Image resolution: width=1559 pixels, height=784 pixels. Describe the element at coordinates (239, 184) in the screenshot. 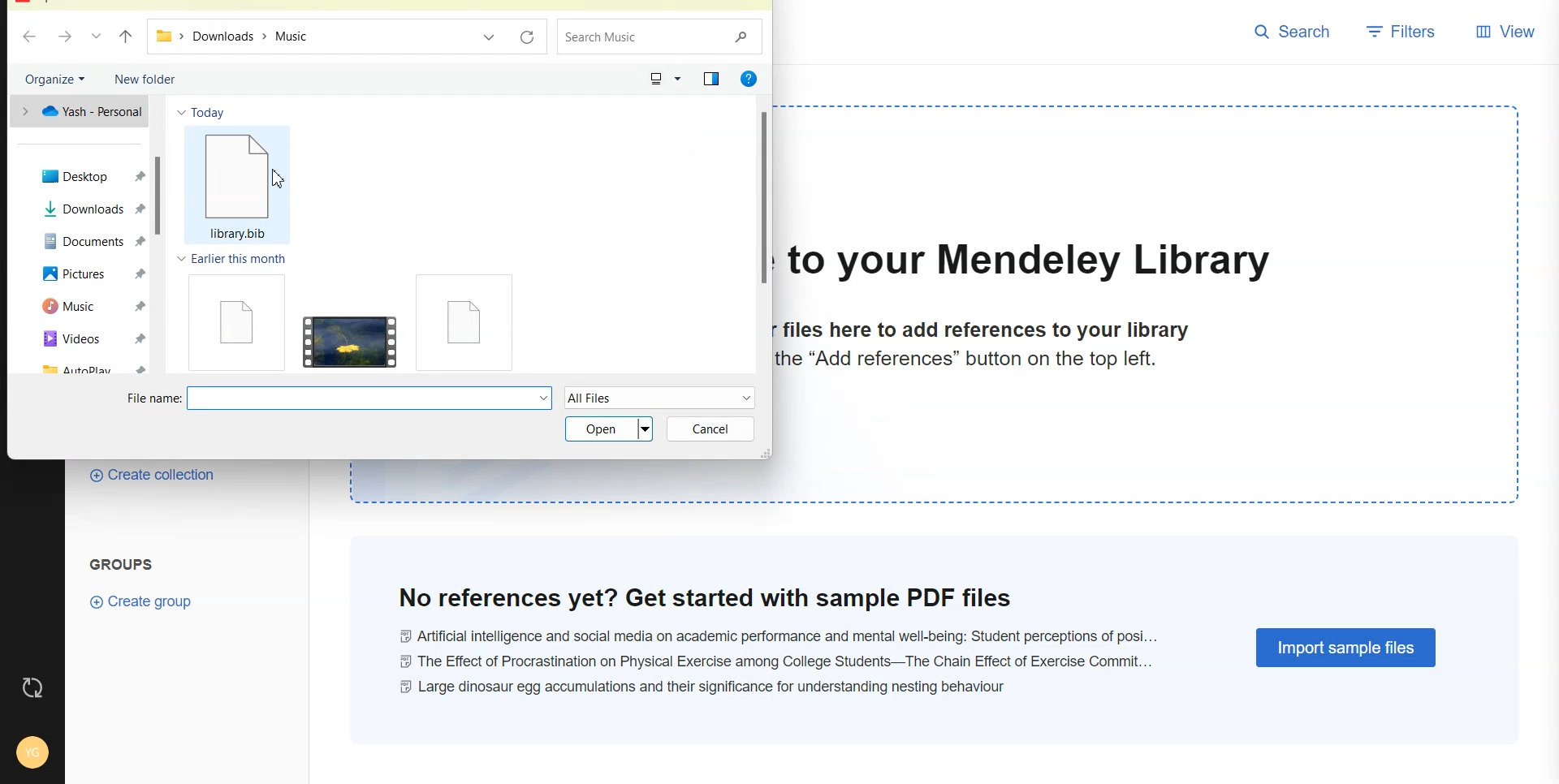

I see `library bib file` at that location.